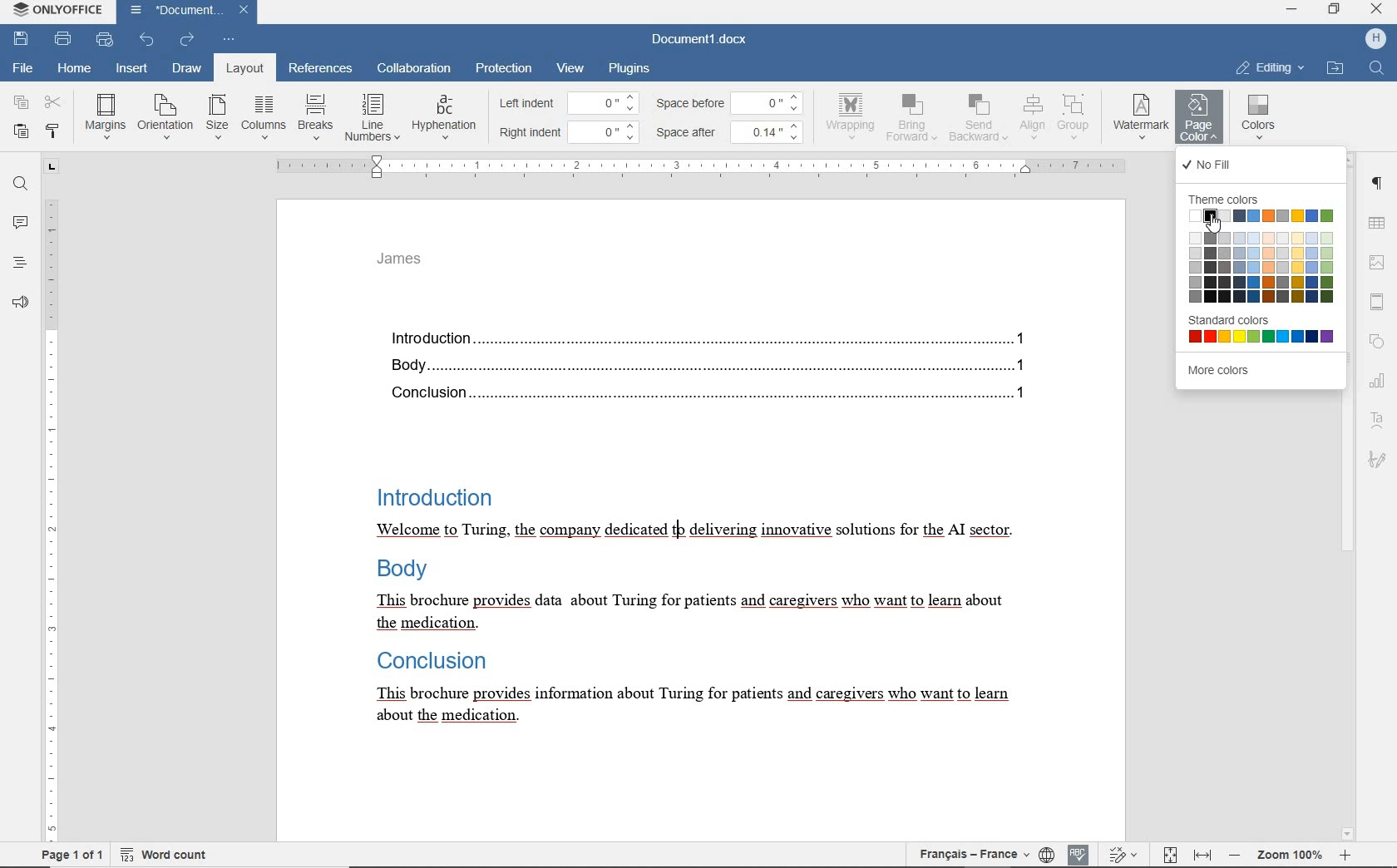 This screenshot has height=868, width=1397. I want to click on image, so click(1379, 264).